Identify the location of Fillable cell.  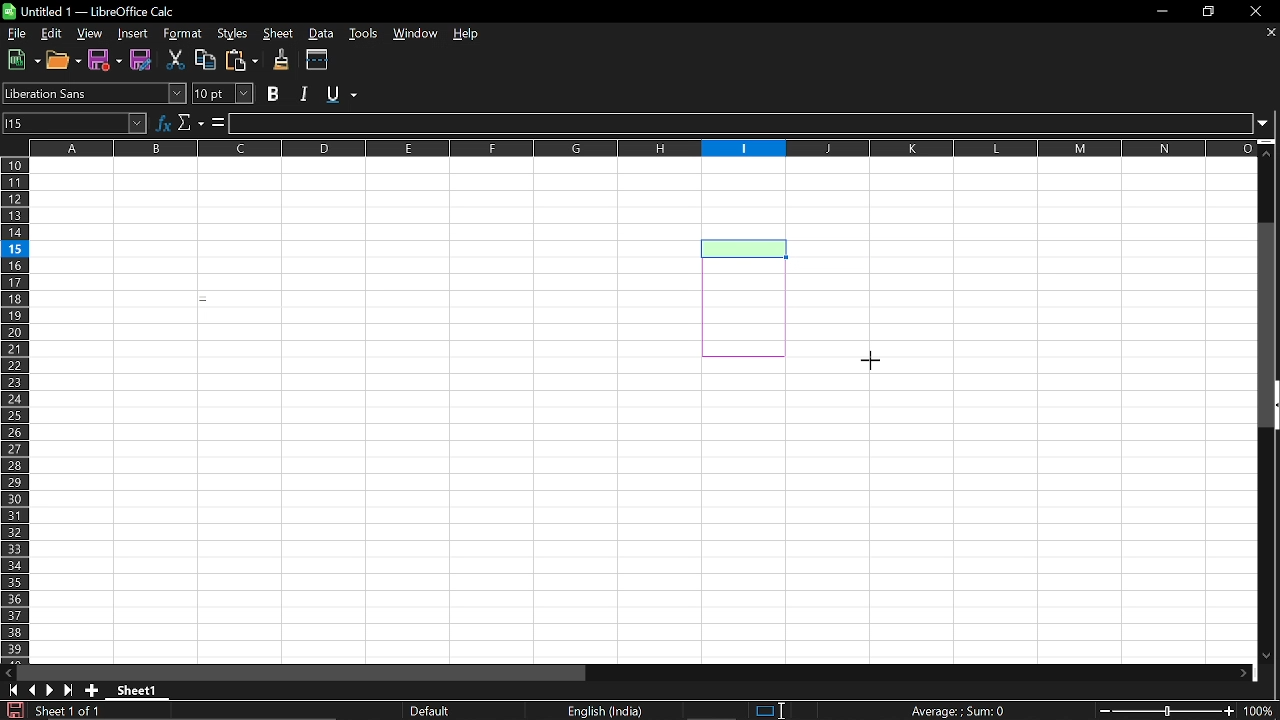
(743, 198).